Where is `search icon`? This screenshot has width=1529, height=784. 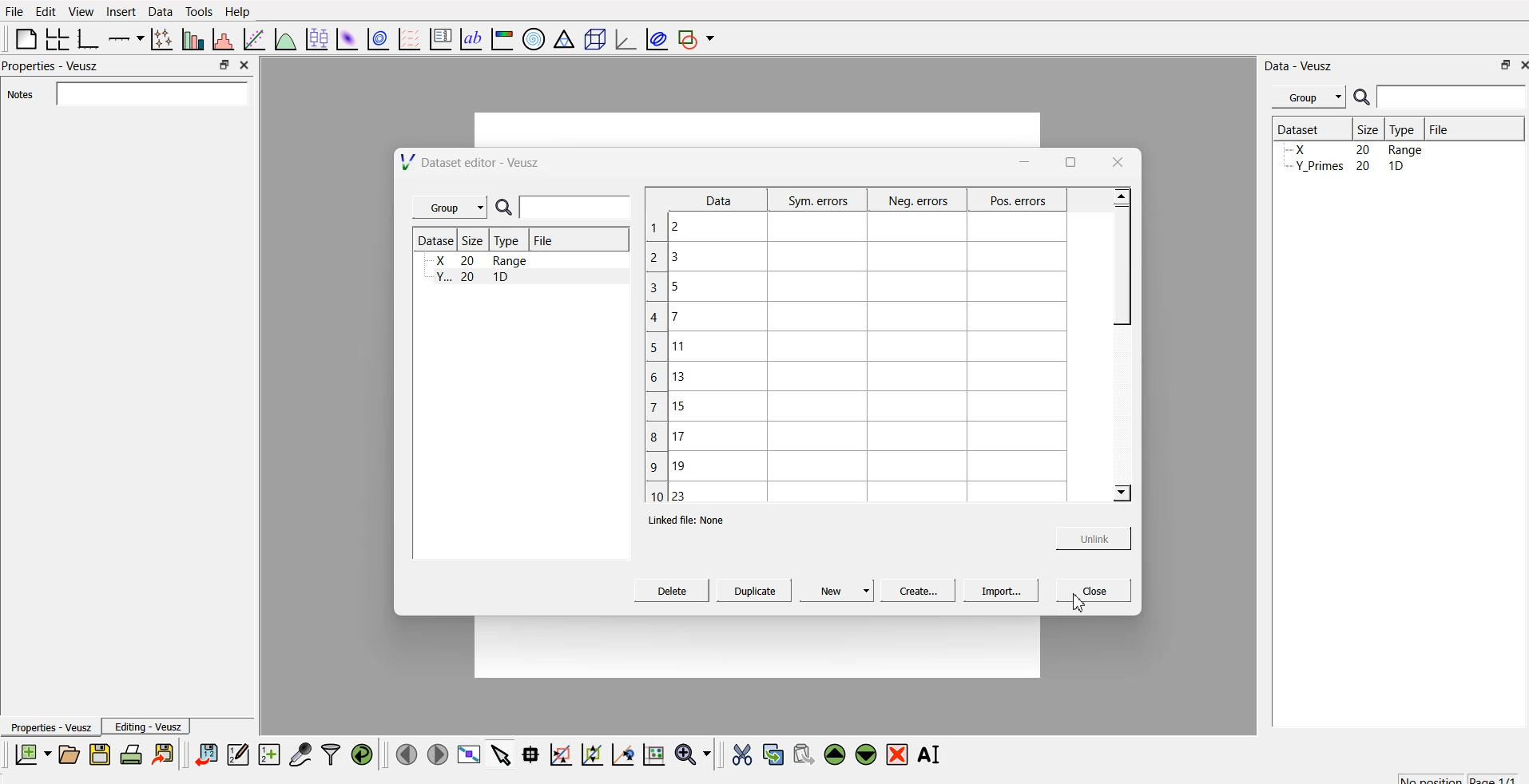 search icon is located at coordinates (502, 206).